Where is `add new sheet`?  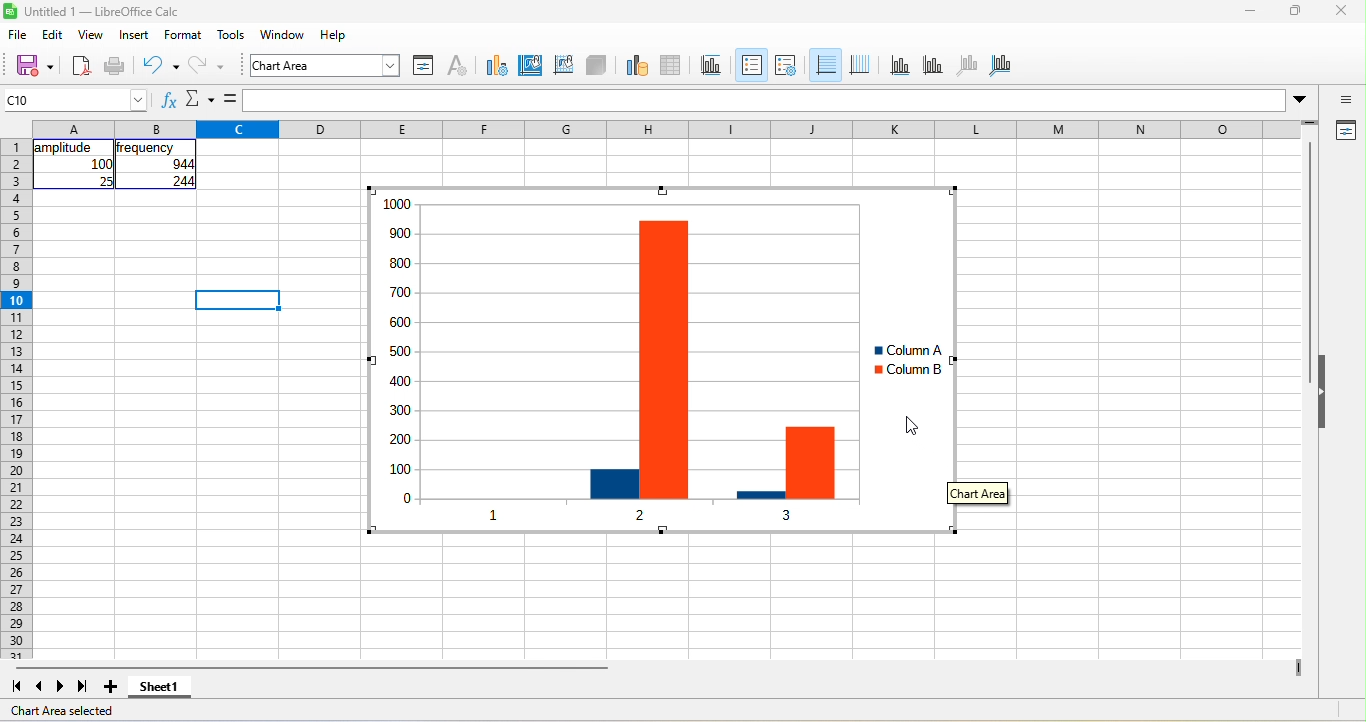
add new sheet is located at coordinates (110, 687).